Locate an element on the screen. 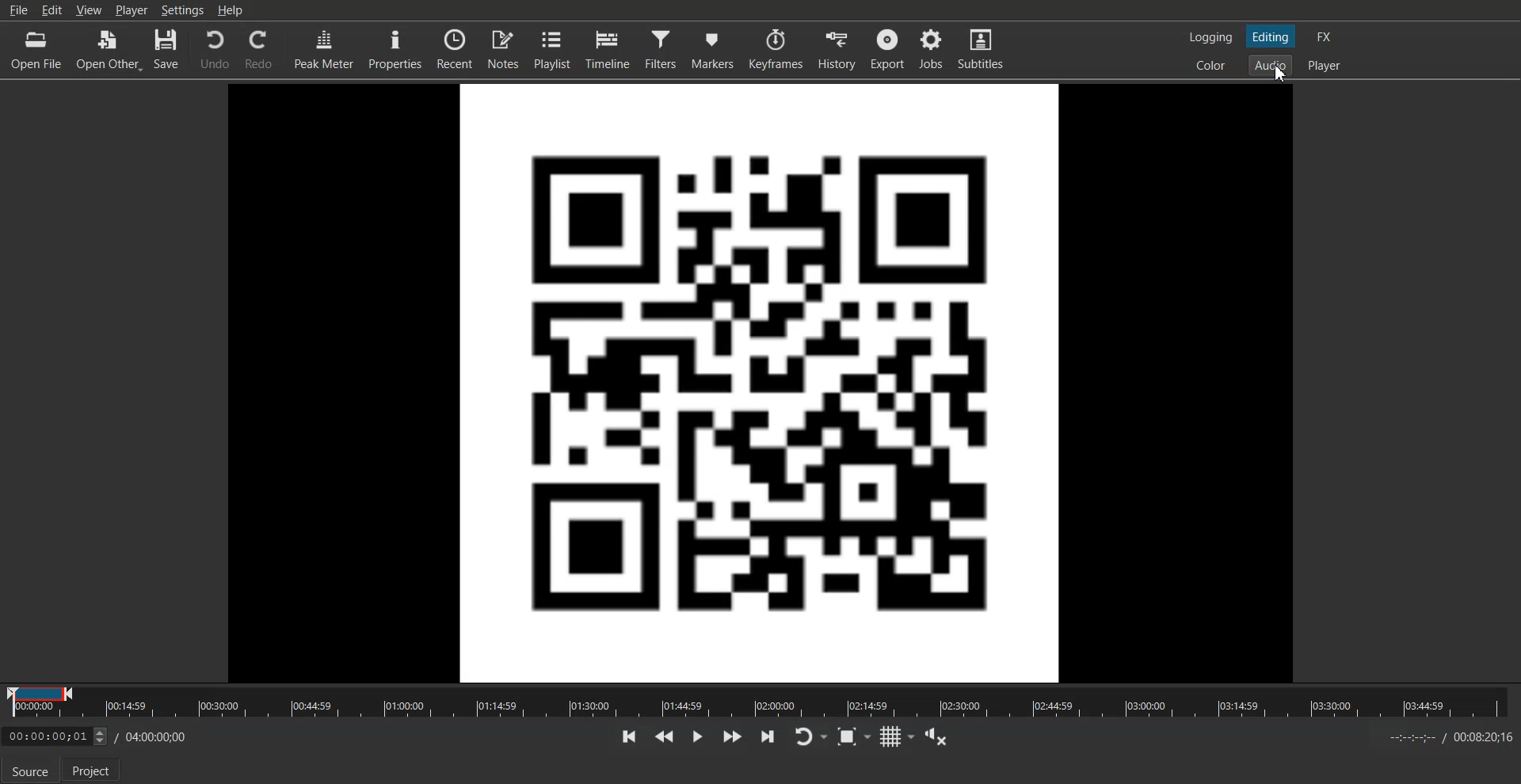 Image resolution: width=1521 pixels, height=784 pixels. Play quickly forward is located at coordinates (732, 736).